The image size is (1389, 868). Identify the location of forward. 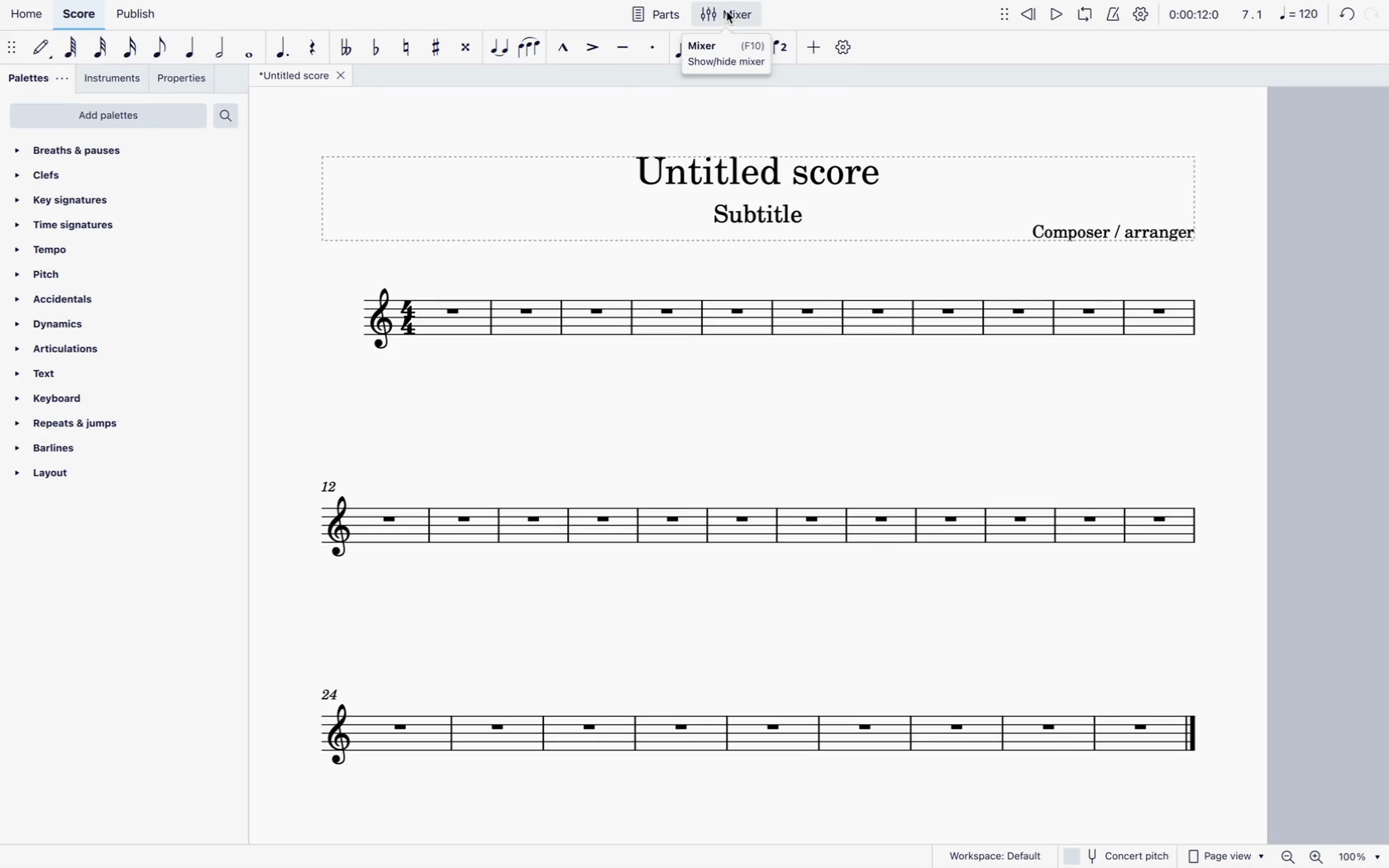
(1376, 13).